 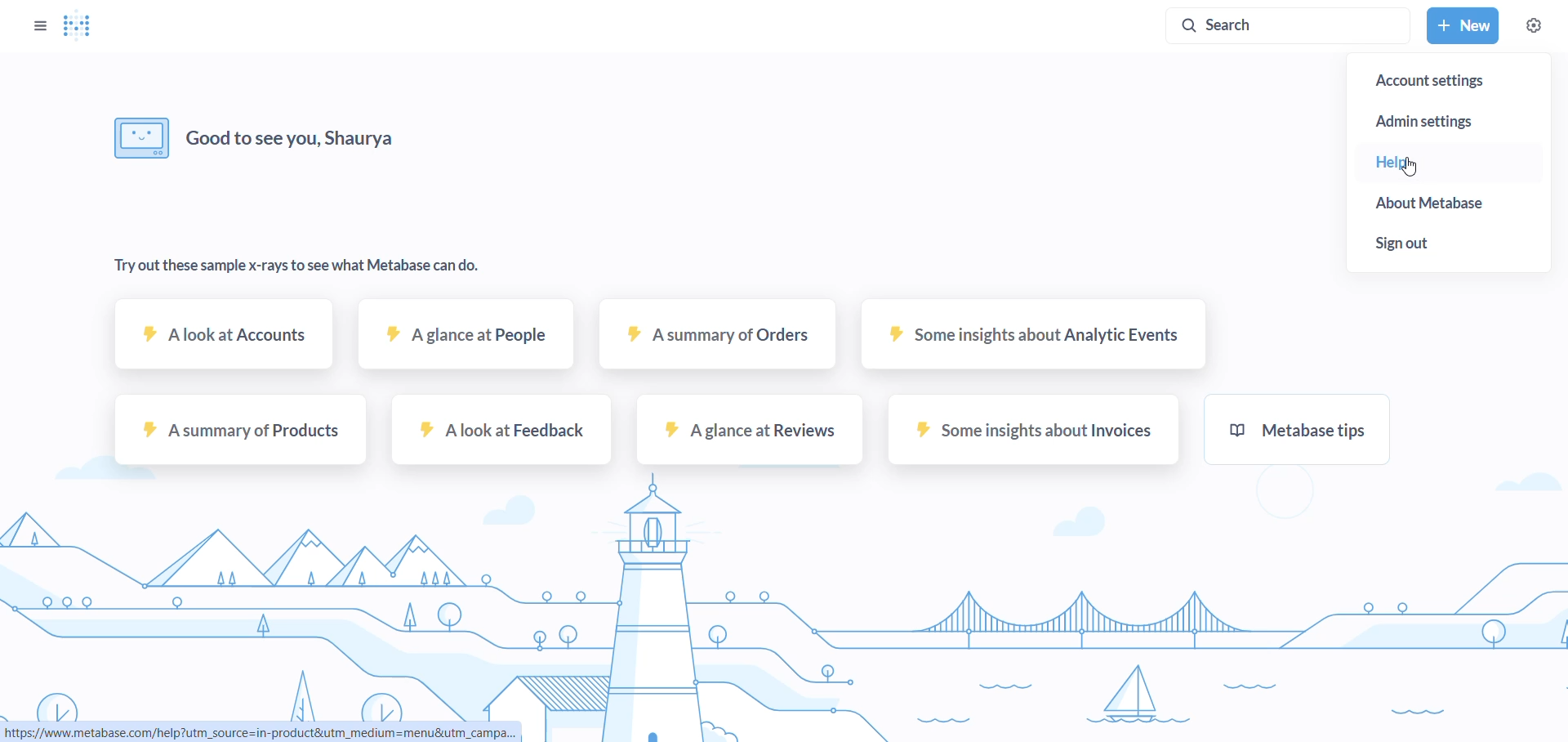 What do you see at coordinates (1415, 168) in the screenshot?
I see `cursor` at bounding box center [1415, 168].